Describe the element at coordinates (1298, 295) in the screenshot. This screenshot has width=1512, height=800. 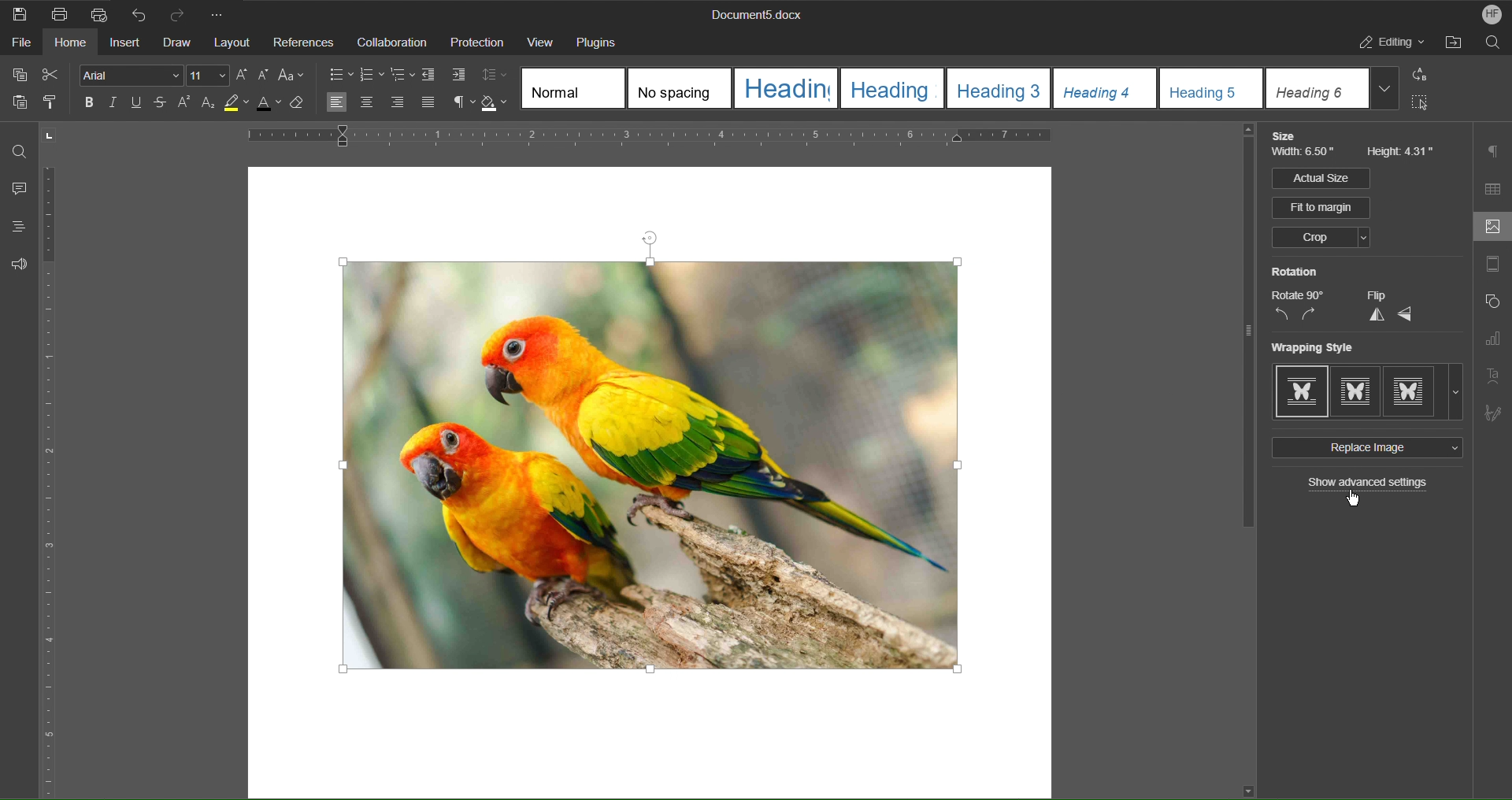
I see `Rotate 90` at that location.